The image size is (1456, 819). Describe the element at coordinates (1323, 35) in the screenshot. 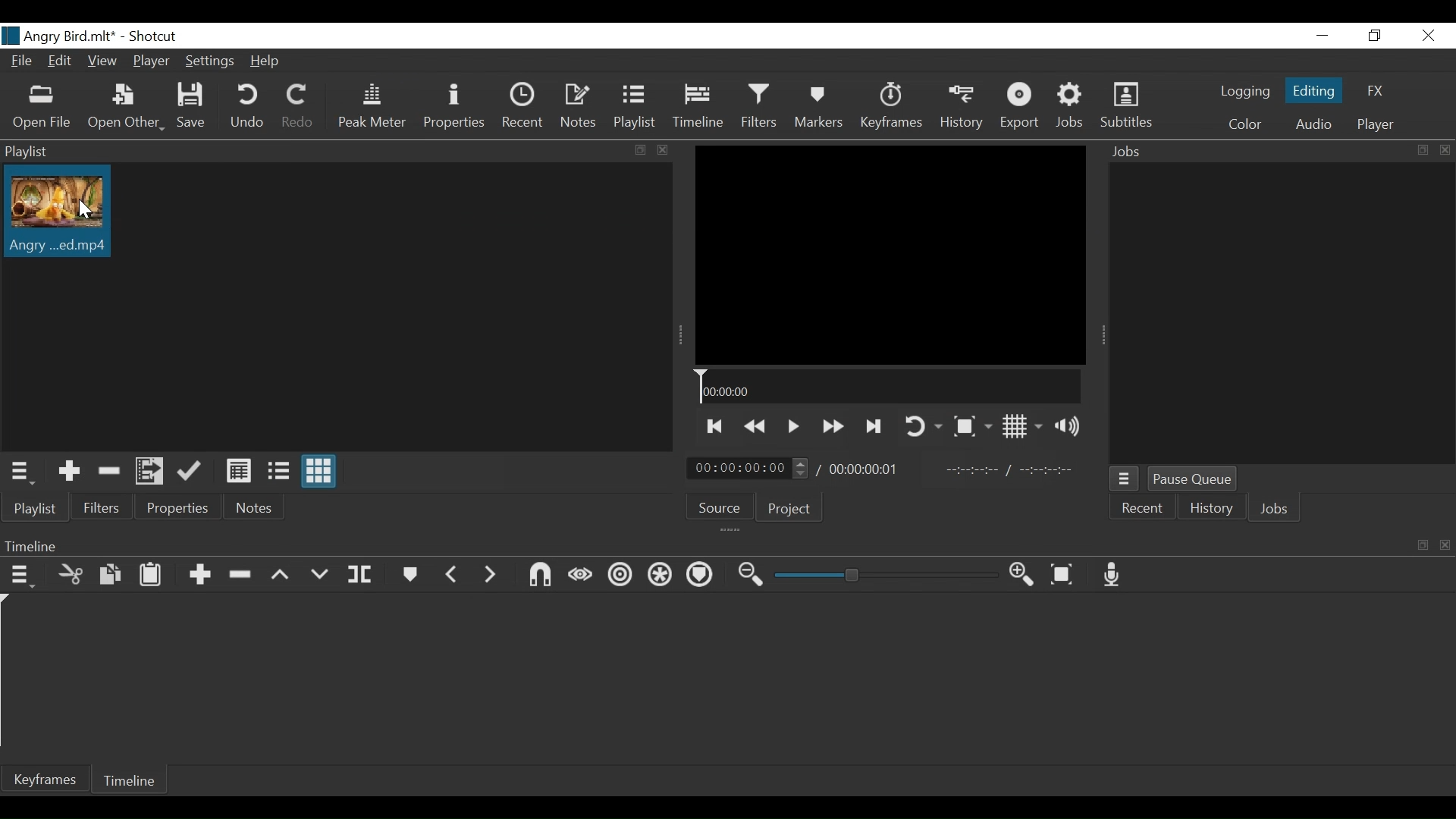

I see `minimize` at that location.